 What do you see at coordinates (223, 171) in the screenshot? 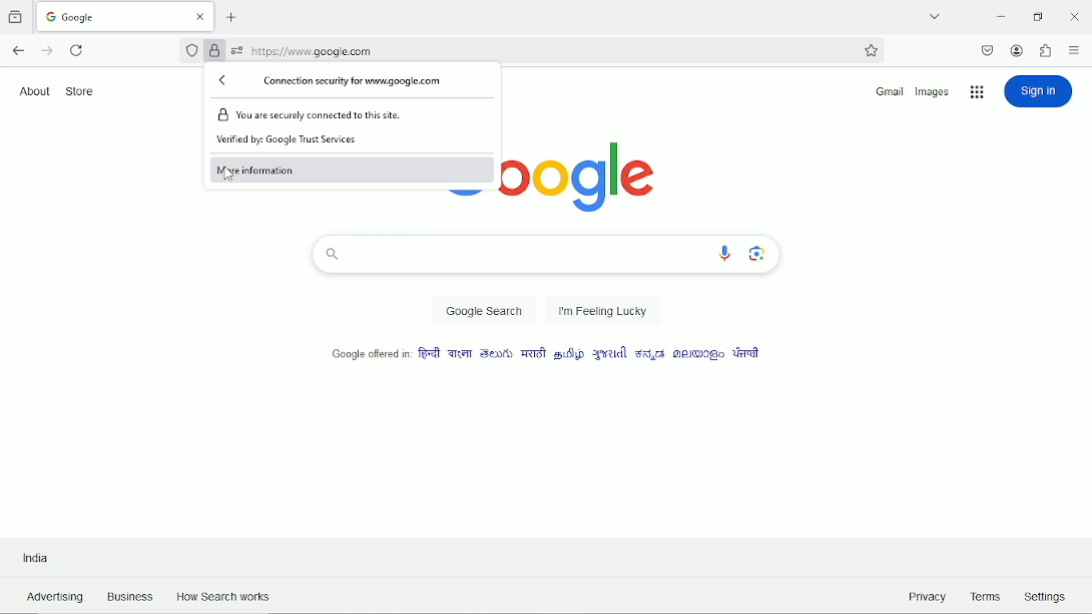
I see `cursor` at bounding box center [223, 171].